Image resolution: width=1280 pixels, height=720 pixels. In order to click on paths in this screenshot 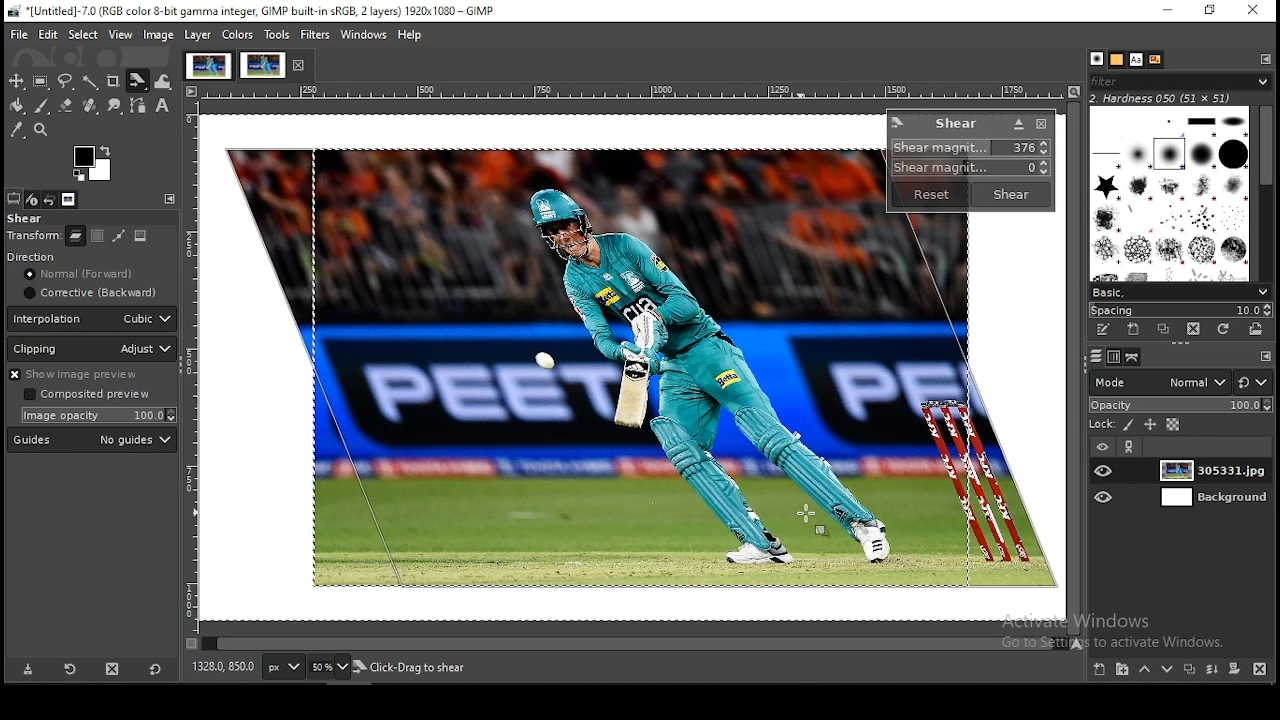, I will do `click(1095, 356)`.